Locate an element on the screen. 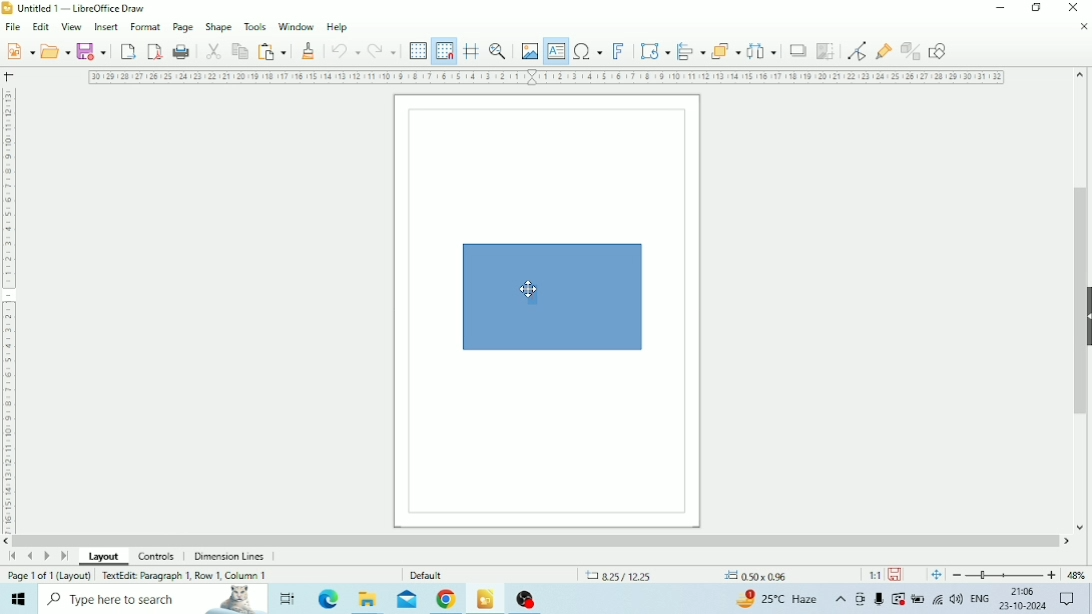 This screenshot has height=614, width=1092. Scroll to next page is located at coordinates (48, 556).